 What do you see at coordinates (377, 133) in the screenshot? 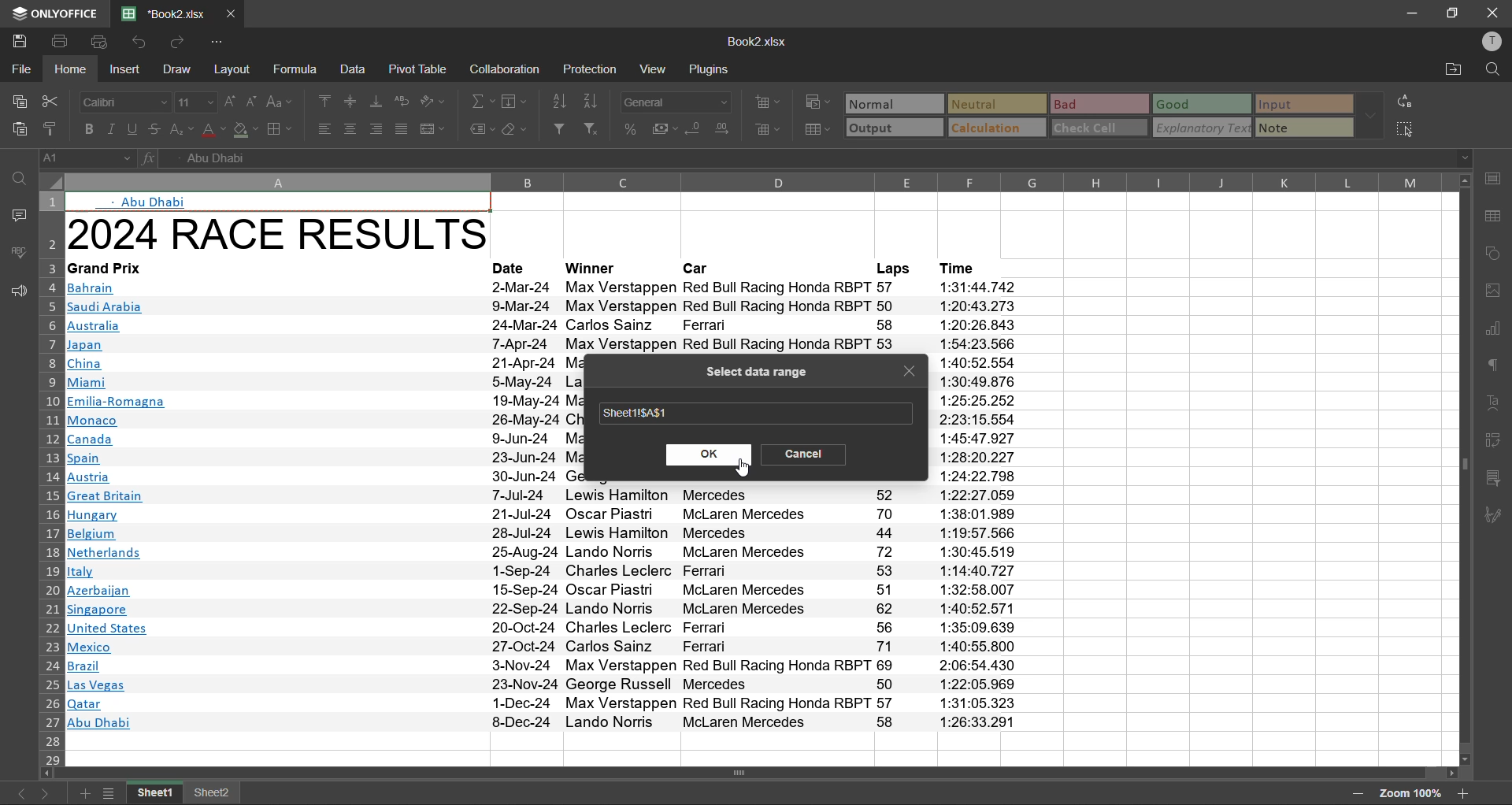
I see `align  right` at bounding box center [377, 133].